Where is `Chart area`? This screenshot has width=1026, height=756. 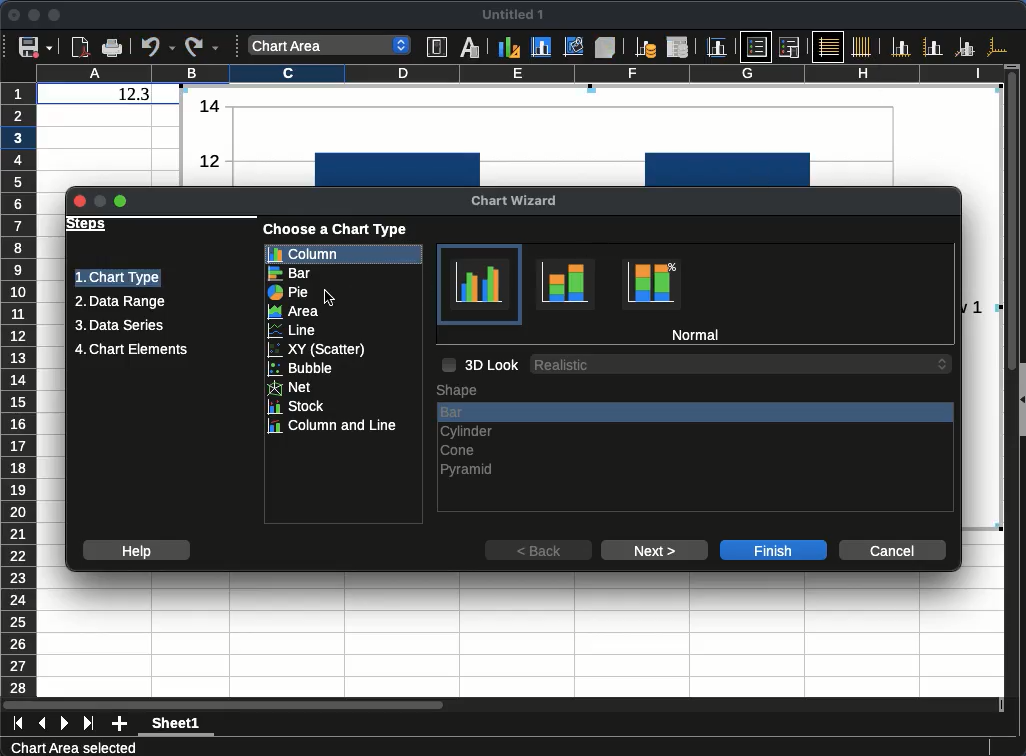 Chart area is located at coordinates (542, 47).